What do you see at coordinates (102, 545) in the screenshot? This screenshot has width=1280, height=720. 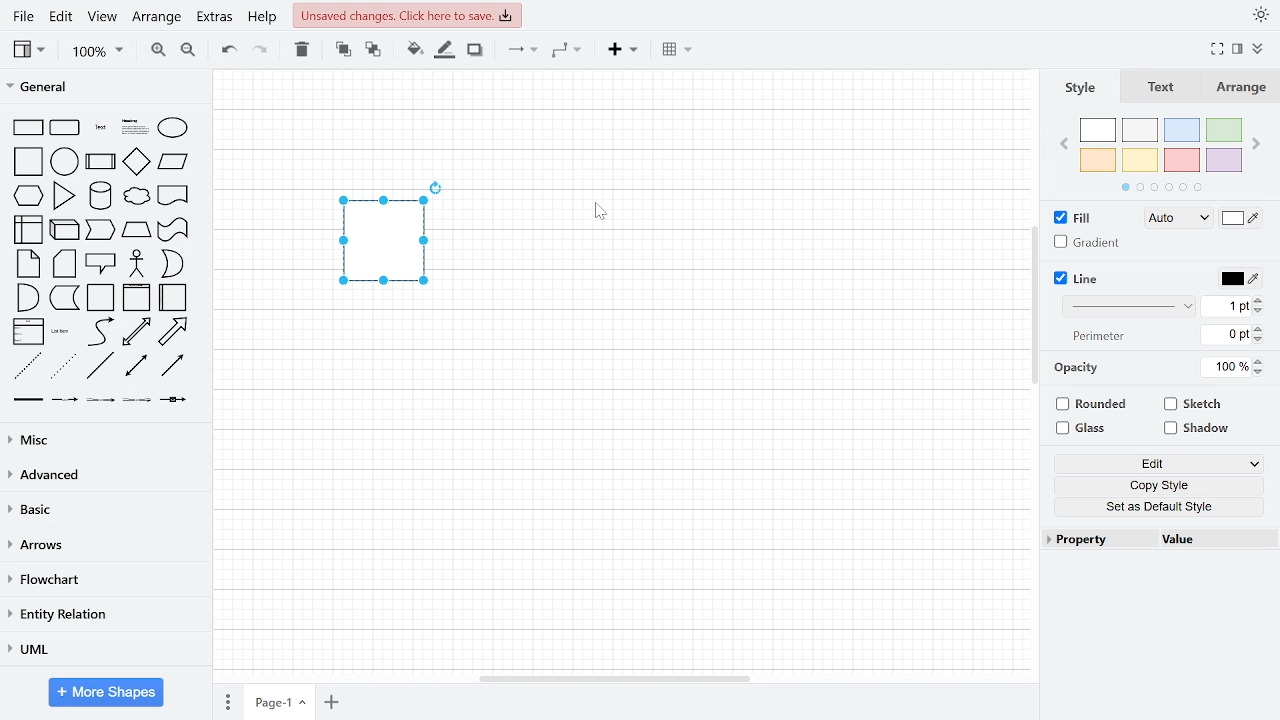 I see `arrows` at bounding box center [102, 545].